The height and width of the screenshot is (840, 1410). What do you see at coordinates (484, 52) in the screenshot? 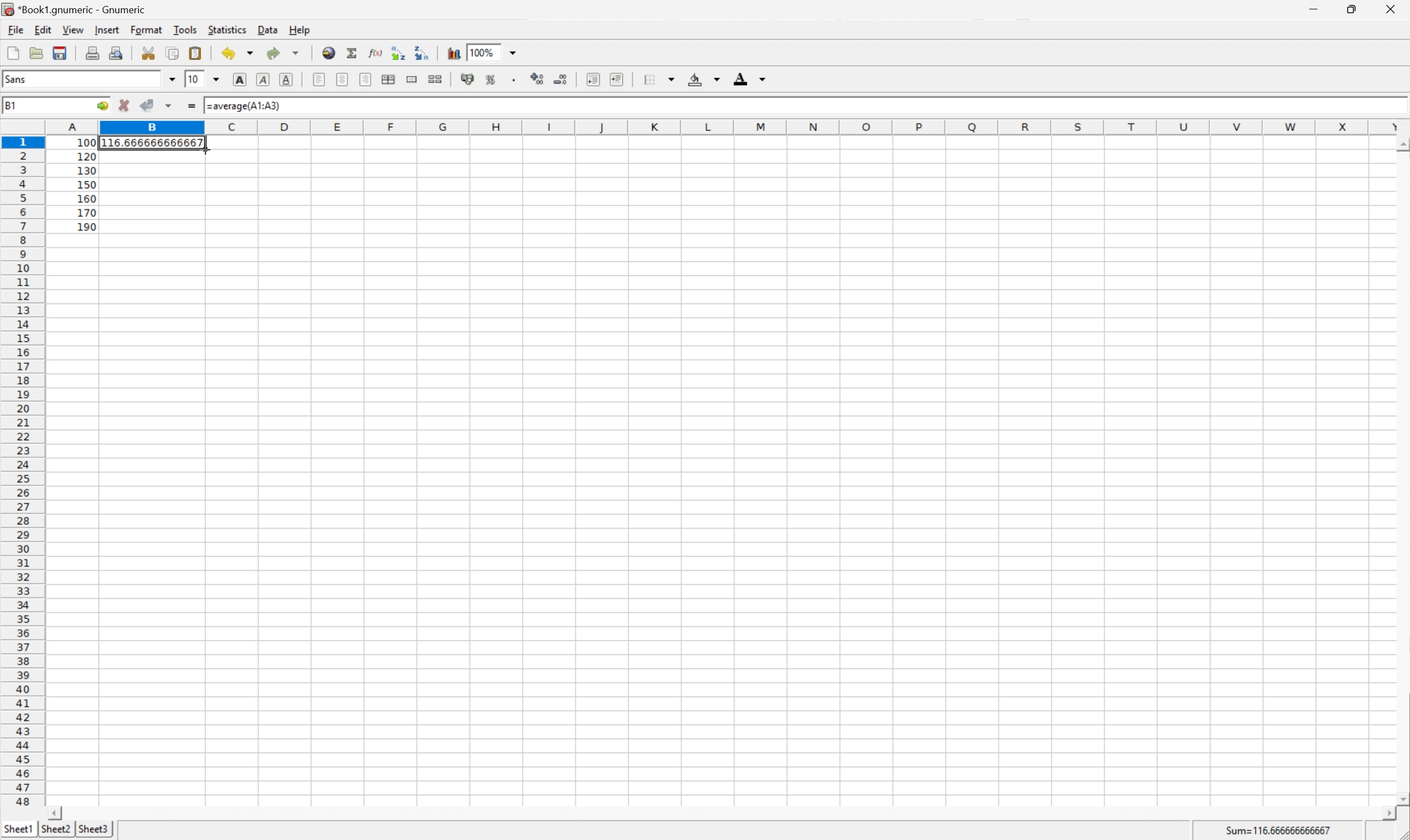
I see `100%` at bounding box center [484, 52].